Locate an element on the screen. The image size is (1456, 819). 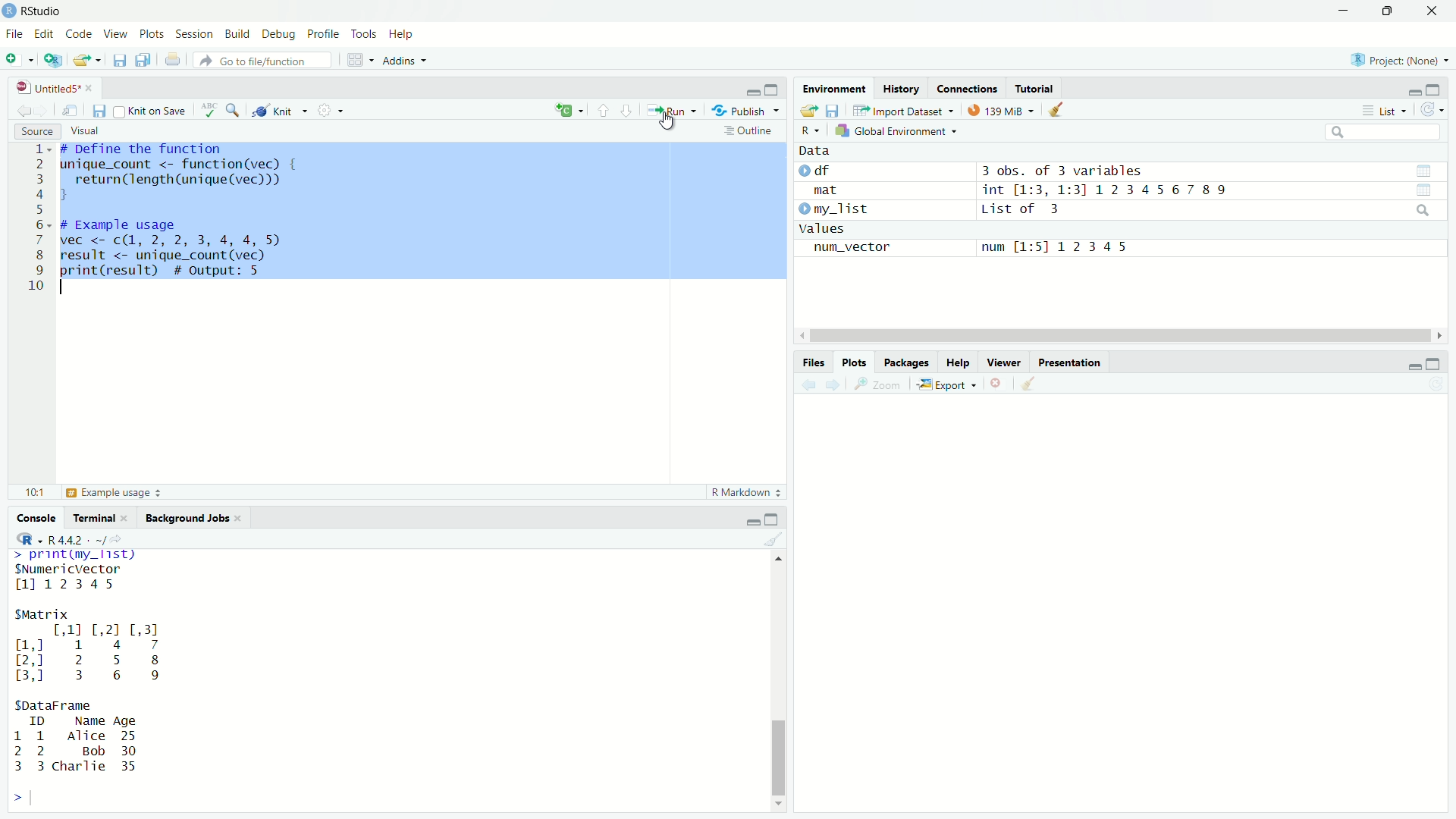
Terminal is located at coordinates (98, 519).